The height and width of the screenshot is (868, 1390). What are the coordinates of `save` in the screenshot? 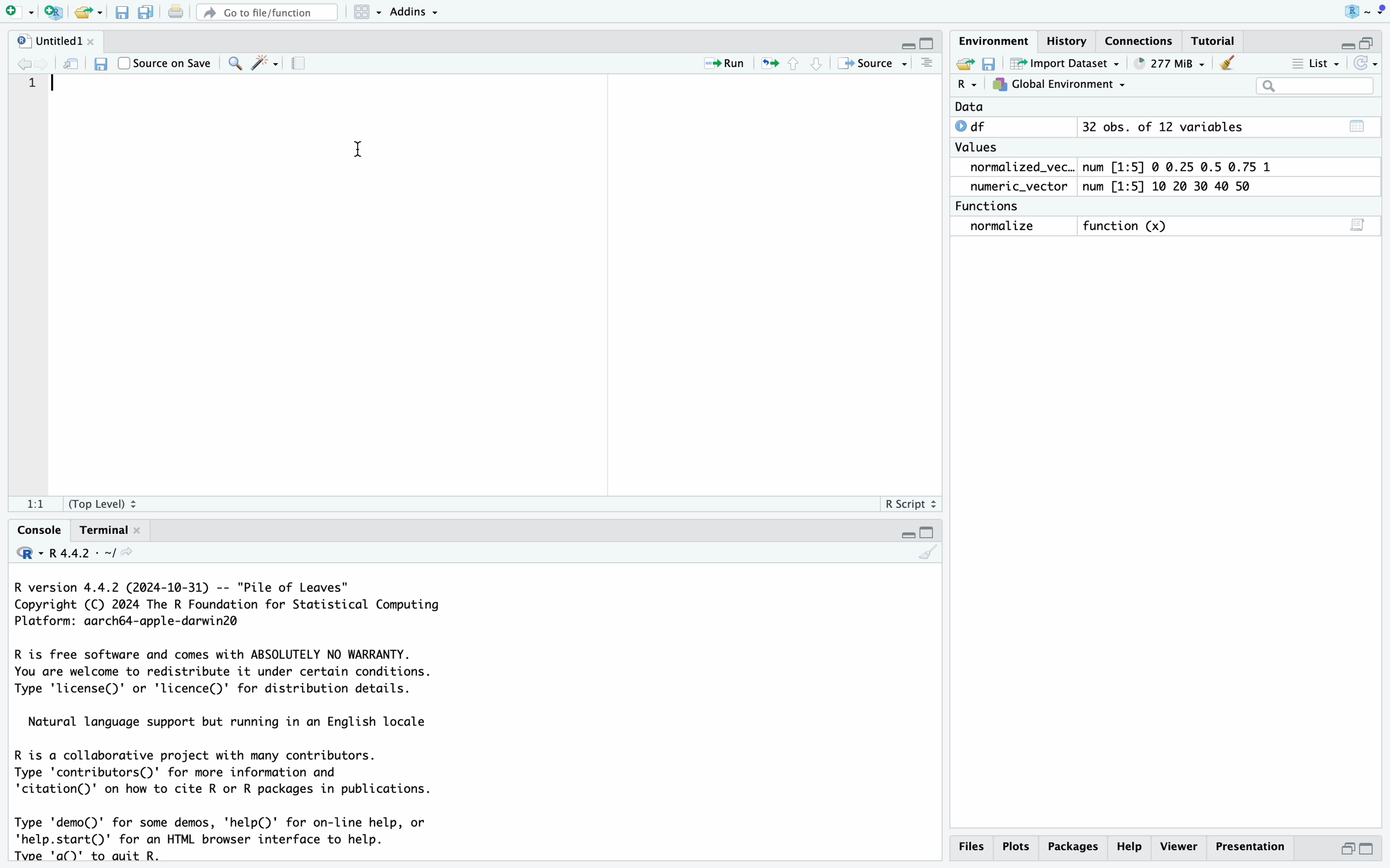 It's located at (102, 63).